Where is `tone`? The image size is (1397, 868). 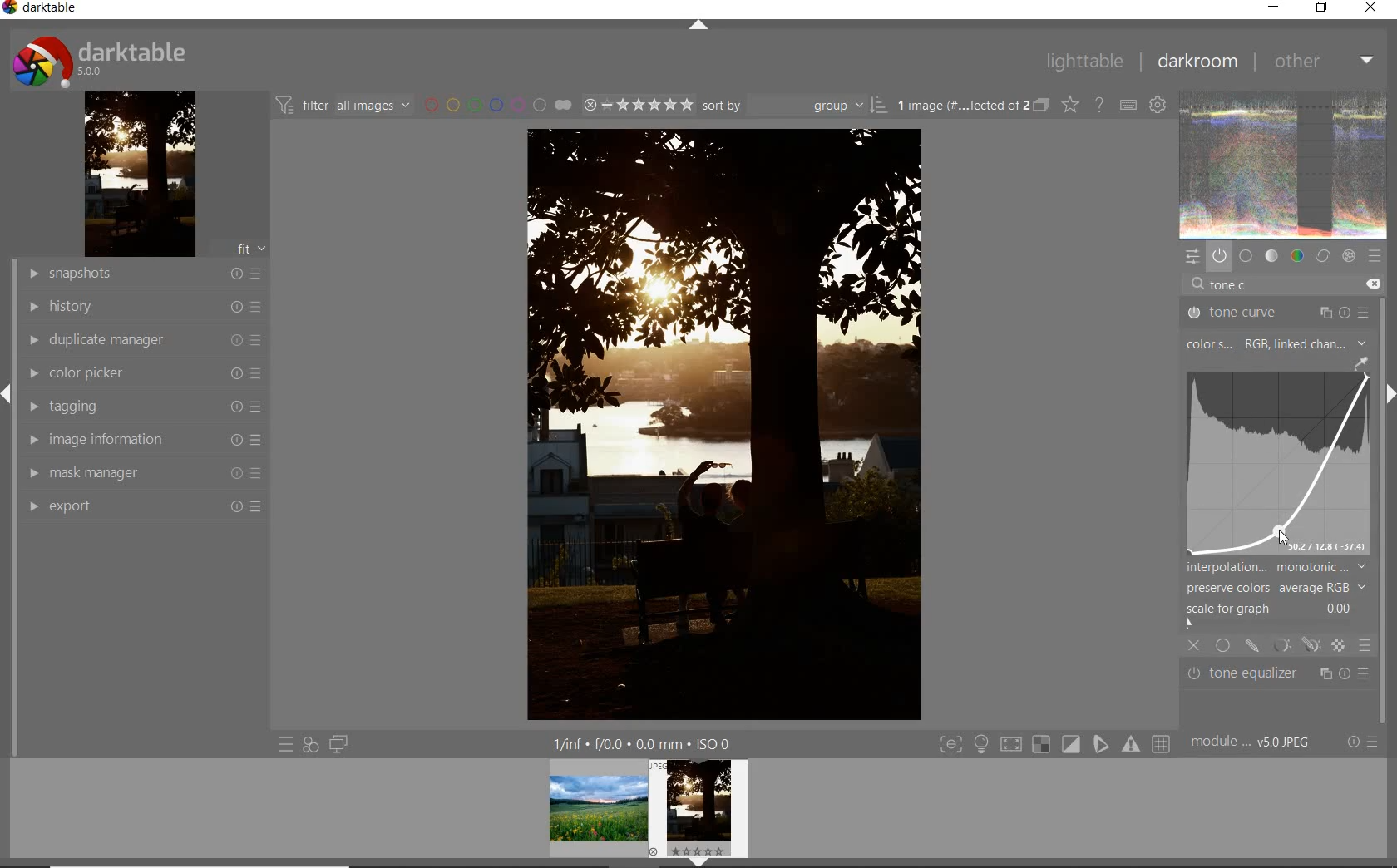
tone is located at coordinates (1272, 254).